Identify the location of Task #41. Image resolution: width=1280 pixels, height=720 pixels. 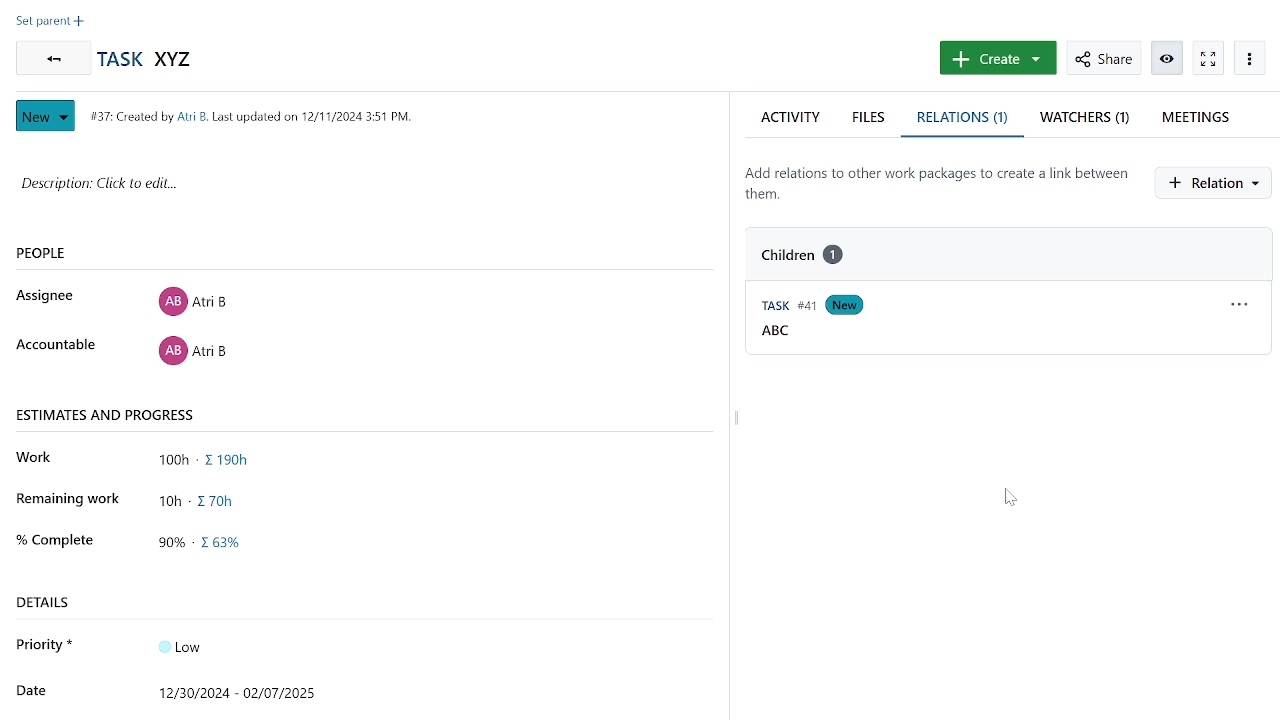
(783, 307).